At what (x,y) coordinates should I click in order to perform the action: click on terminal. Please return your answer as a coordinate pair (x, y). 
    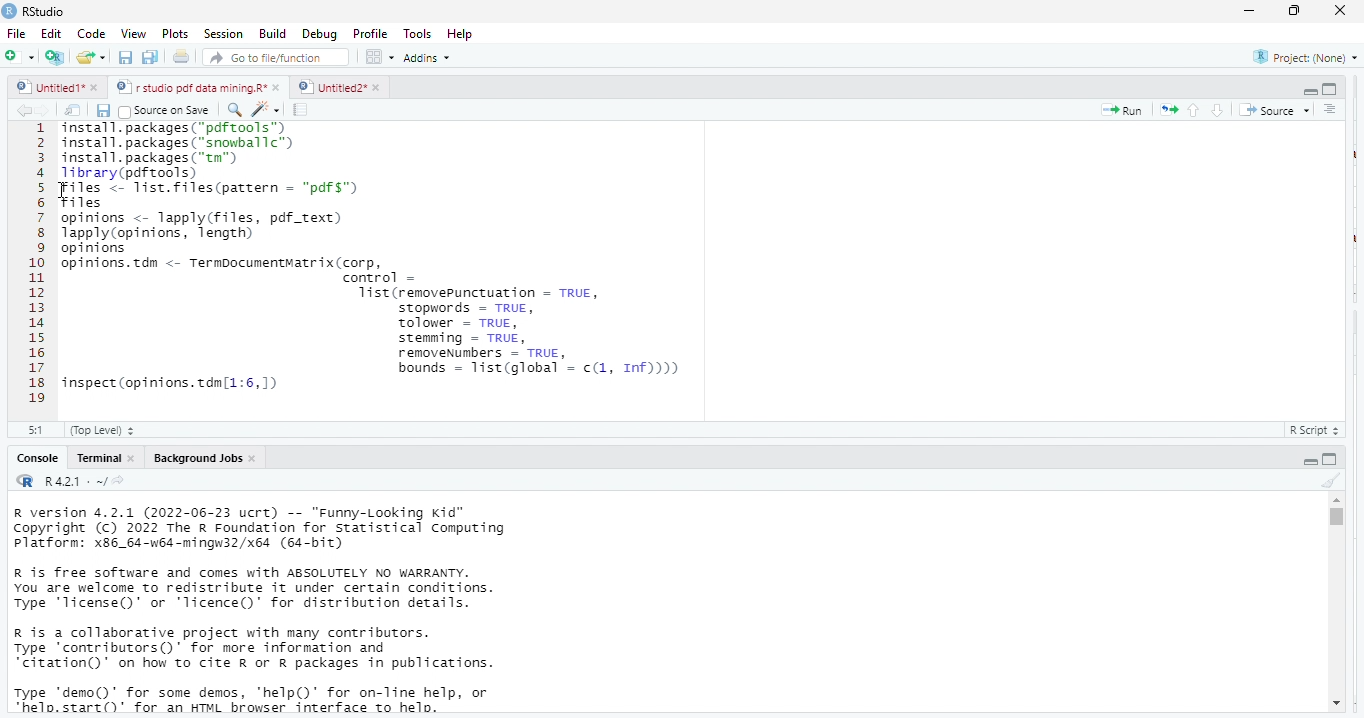
    Looking at the image, I should click on (97, 458).